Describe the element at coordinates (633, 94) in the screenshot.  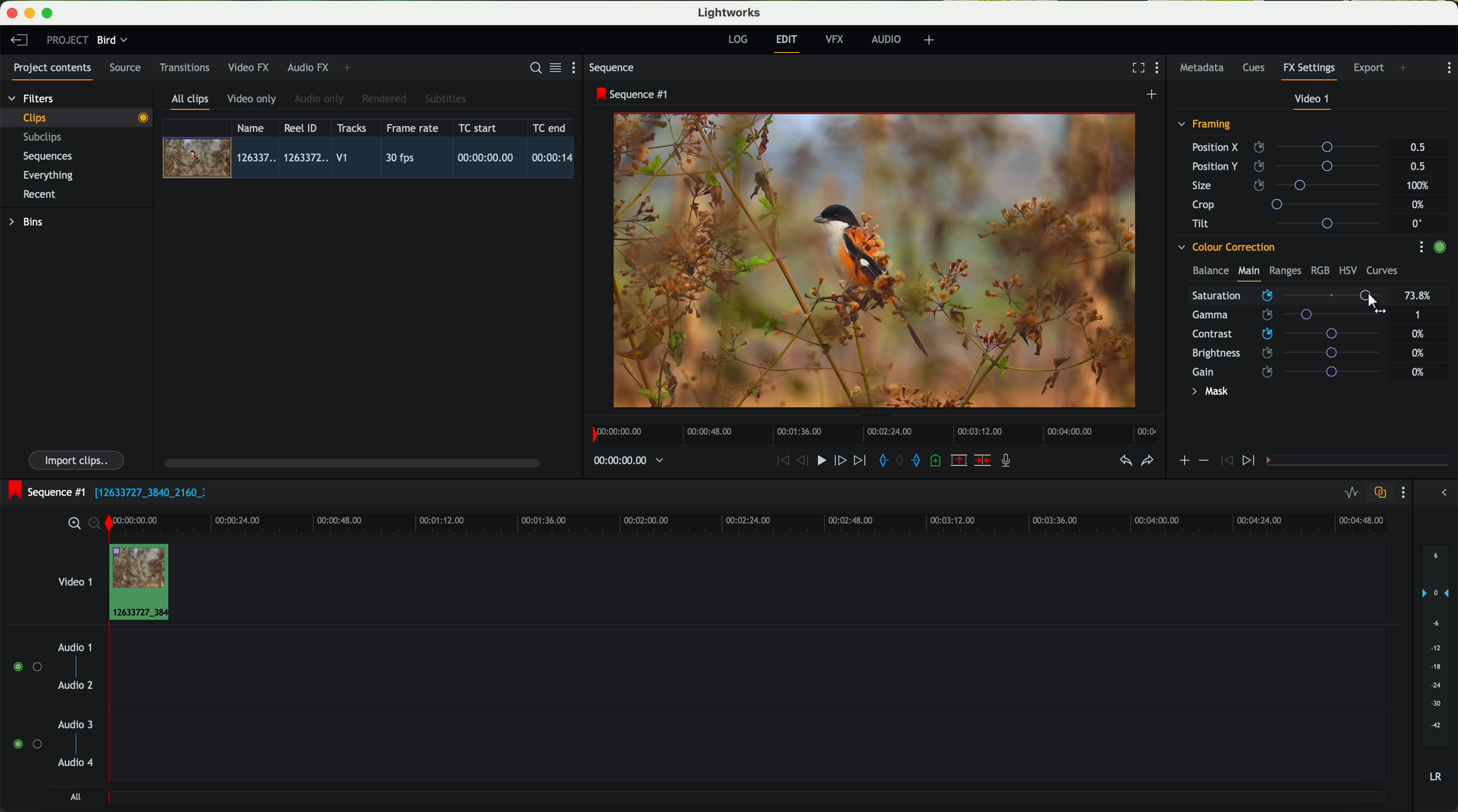
I see `sequence #1` at that location.